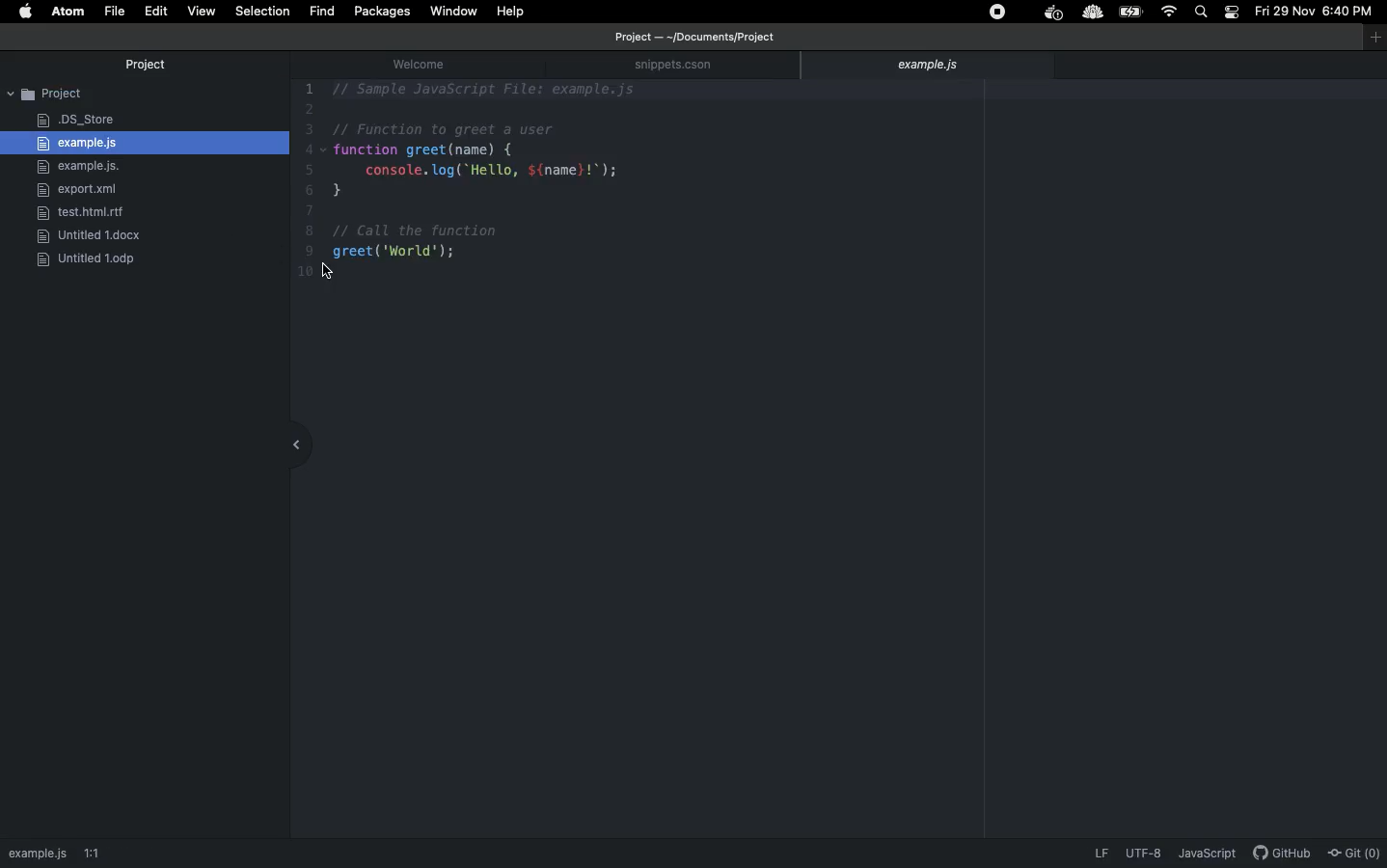 Image resolution: width=1387 pixels, height=868 pixels. I want to click on Edit, so click(156, 11).